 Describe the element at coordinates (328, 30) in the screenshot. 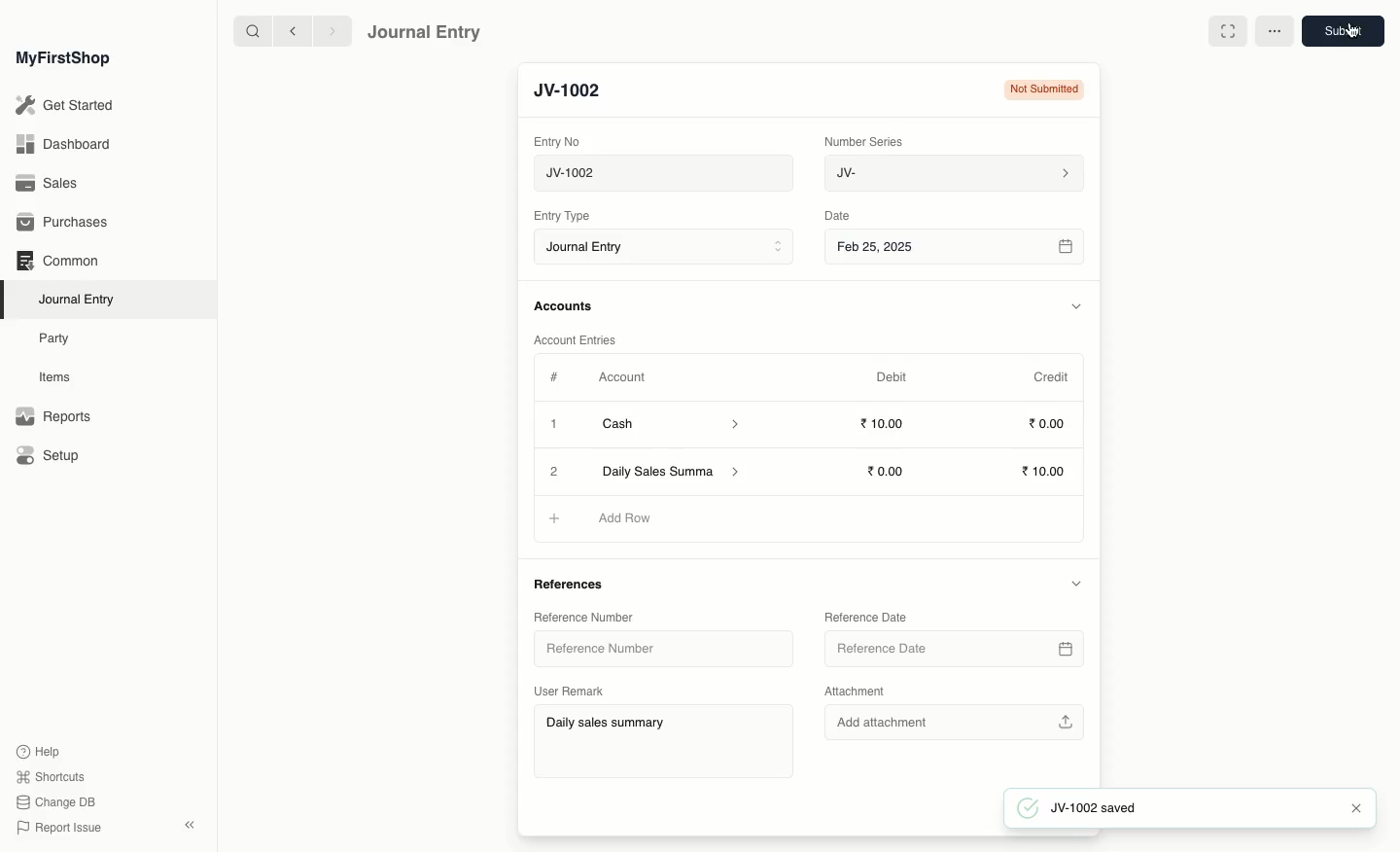

I see `forward >` at that location.